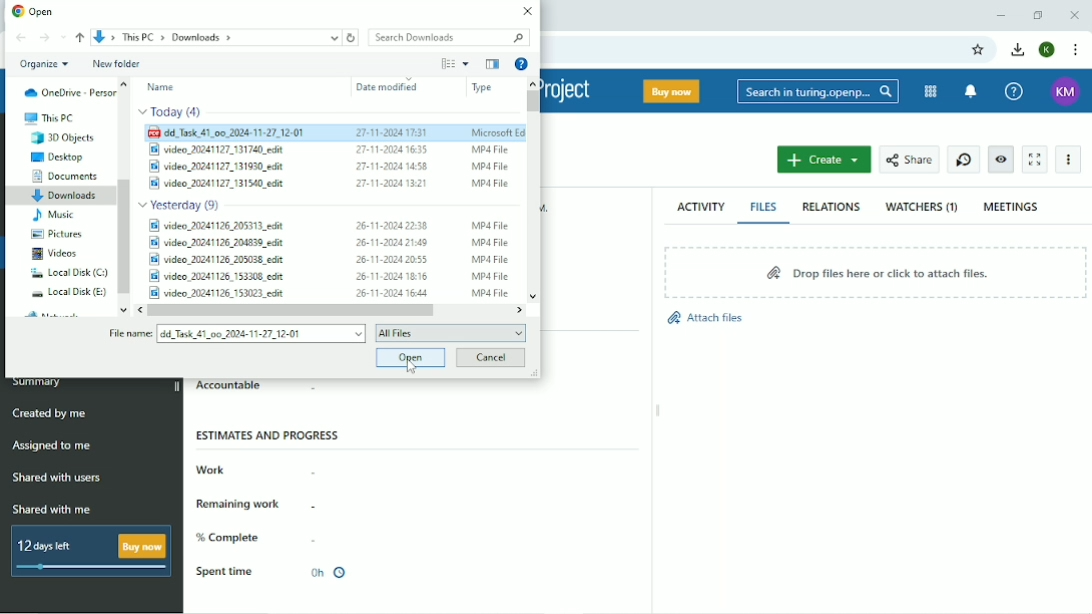 This screenshot has height=614, width=1092. What do you see at coordinates (330, 391) in the screenshot?
I see `-` at bounding box center [330, 391].